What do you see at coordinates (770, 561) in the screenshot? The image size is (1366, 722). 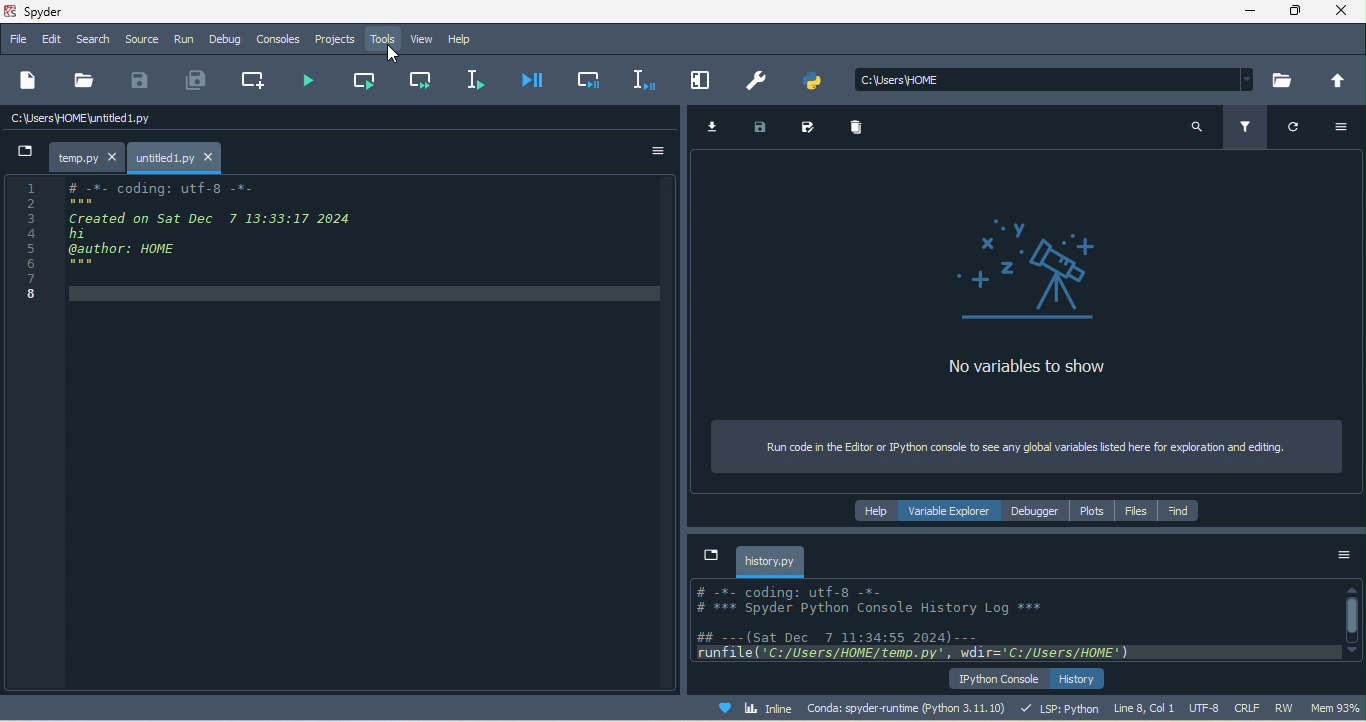 I see `history.py tab` at bounding box center [770, 561].